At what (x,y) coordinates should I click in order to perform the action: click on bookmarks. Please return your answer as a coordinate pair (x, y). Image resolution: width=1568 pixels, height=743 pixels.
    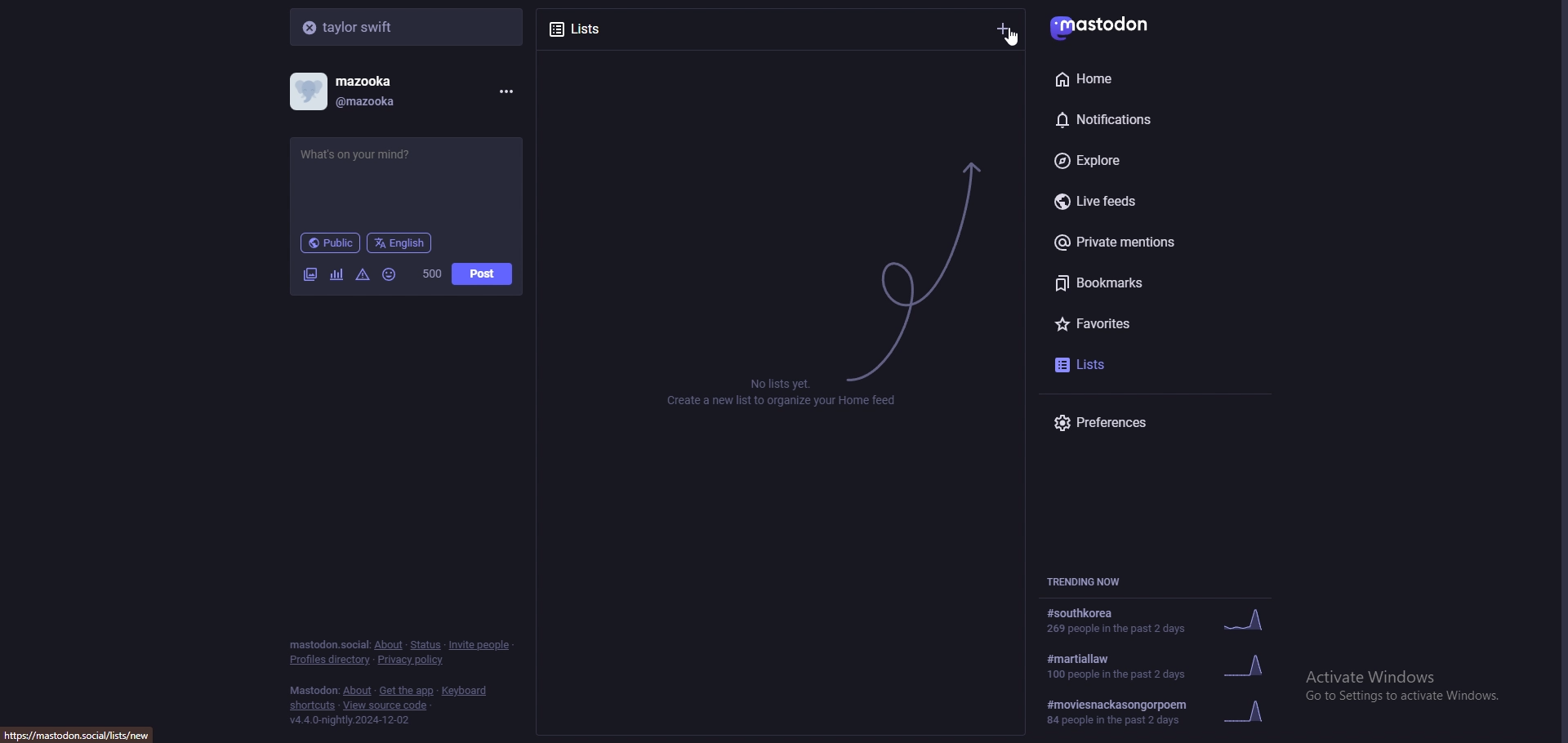
    Looking at the image, I should click on (1158, 283).